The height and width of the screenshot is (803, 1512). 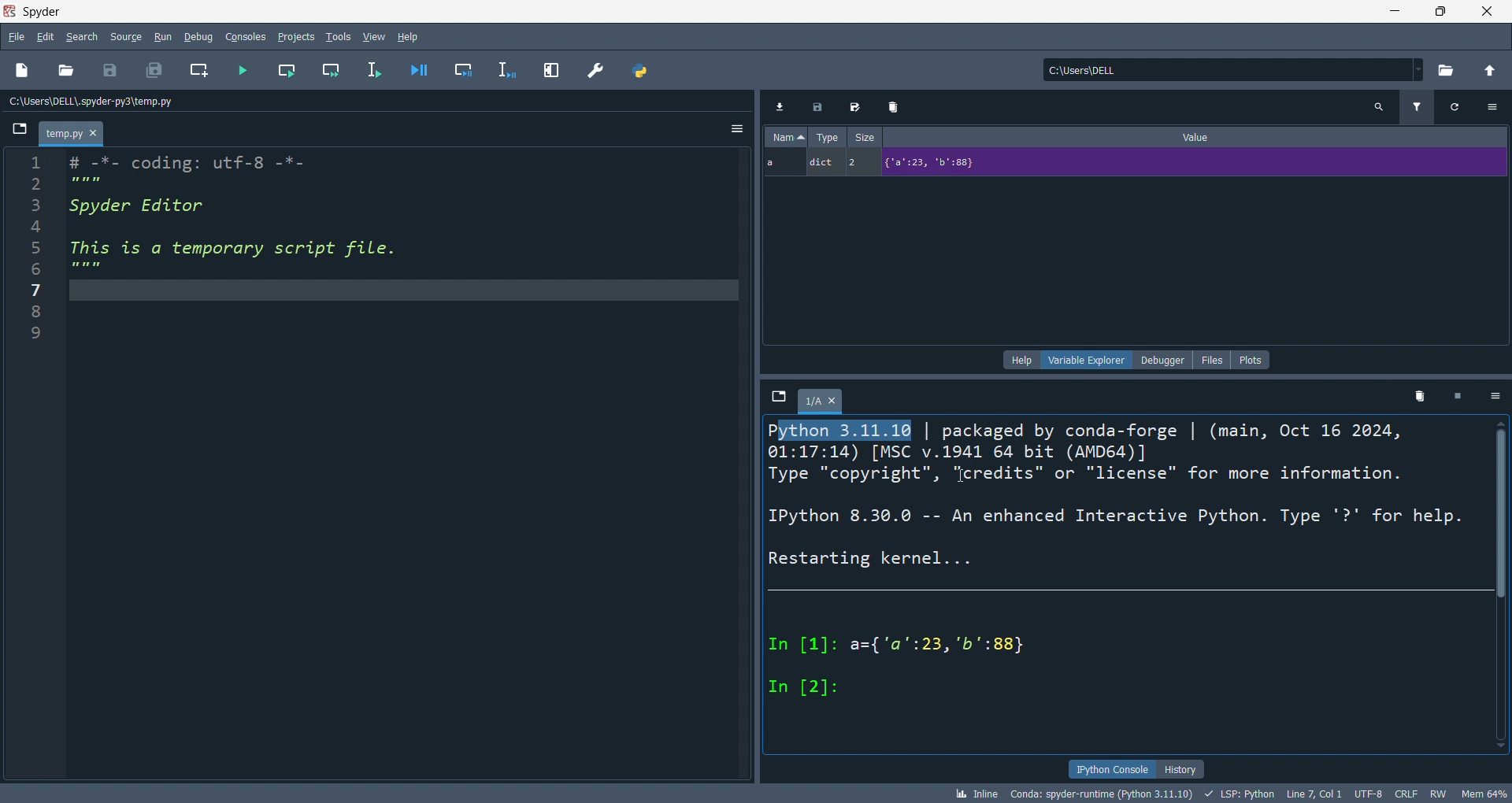 I want to click on delete, so click(x=1419, y=394).